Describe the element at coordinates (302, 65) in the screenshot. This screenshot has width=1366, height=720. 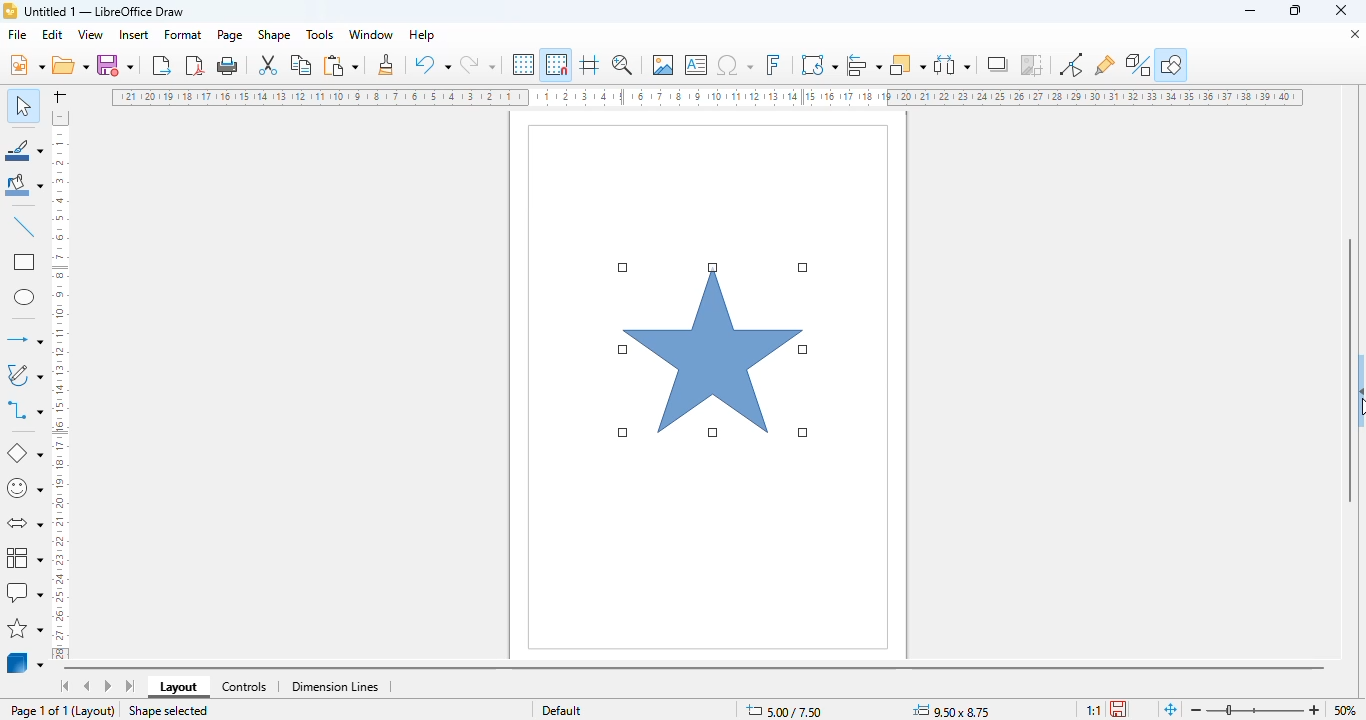
I see `copy` at that location.